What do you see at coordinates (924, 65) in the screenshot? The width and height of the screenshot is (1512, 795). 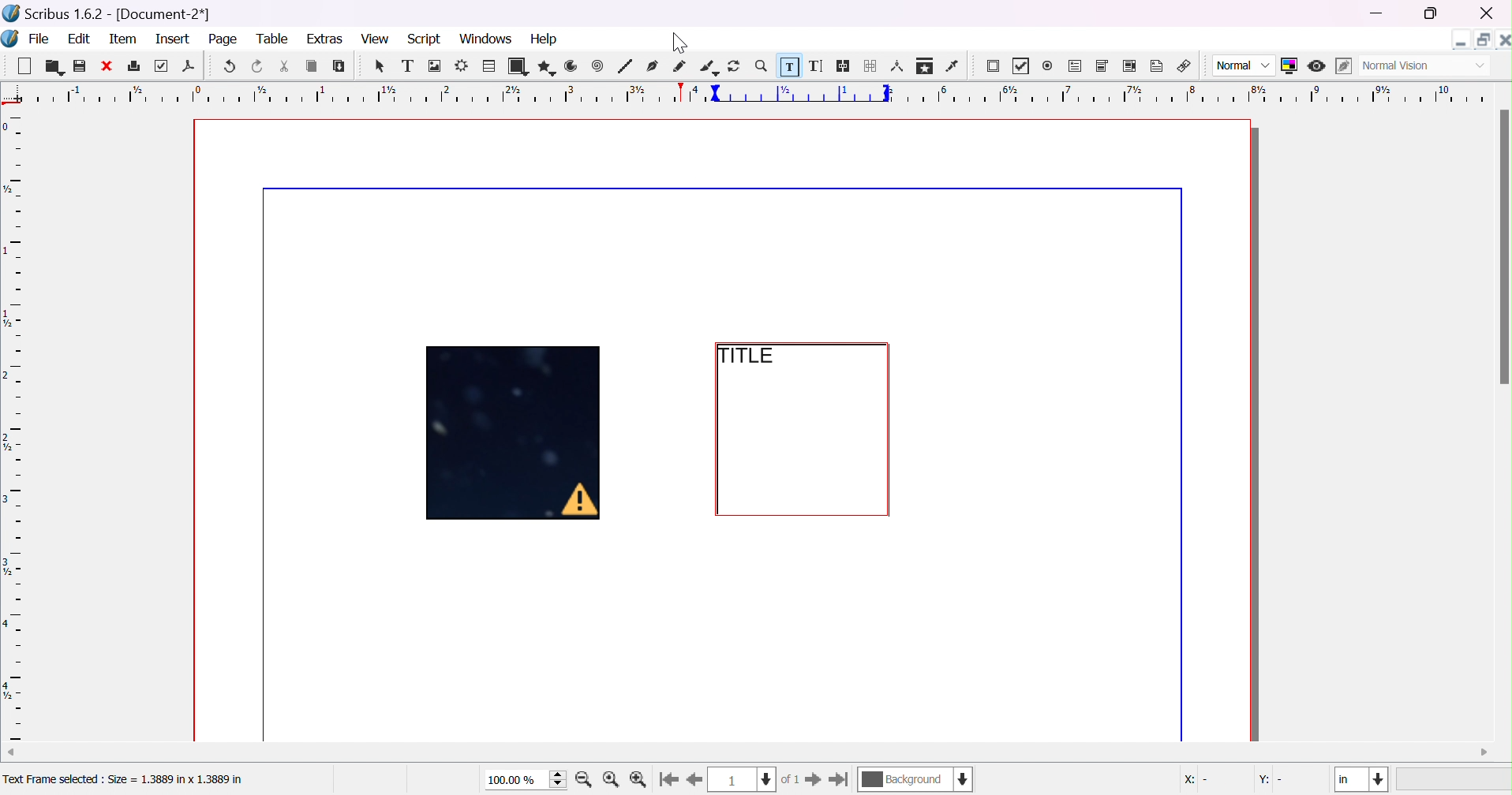 I see `copy item properties` at bounding box center [924, 65].